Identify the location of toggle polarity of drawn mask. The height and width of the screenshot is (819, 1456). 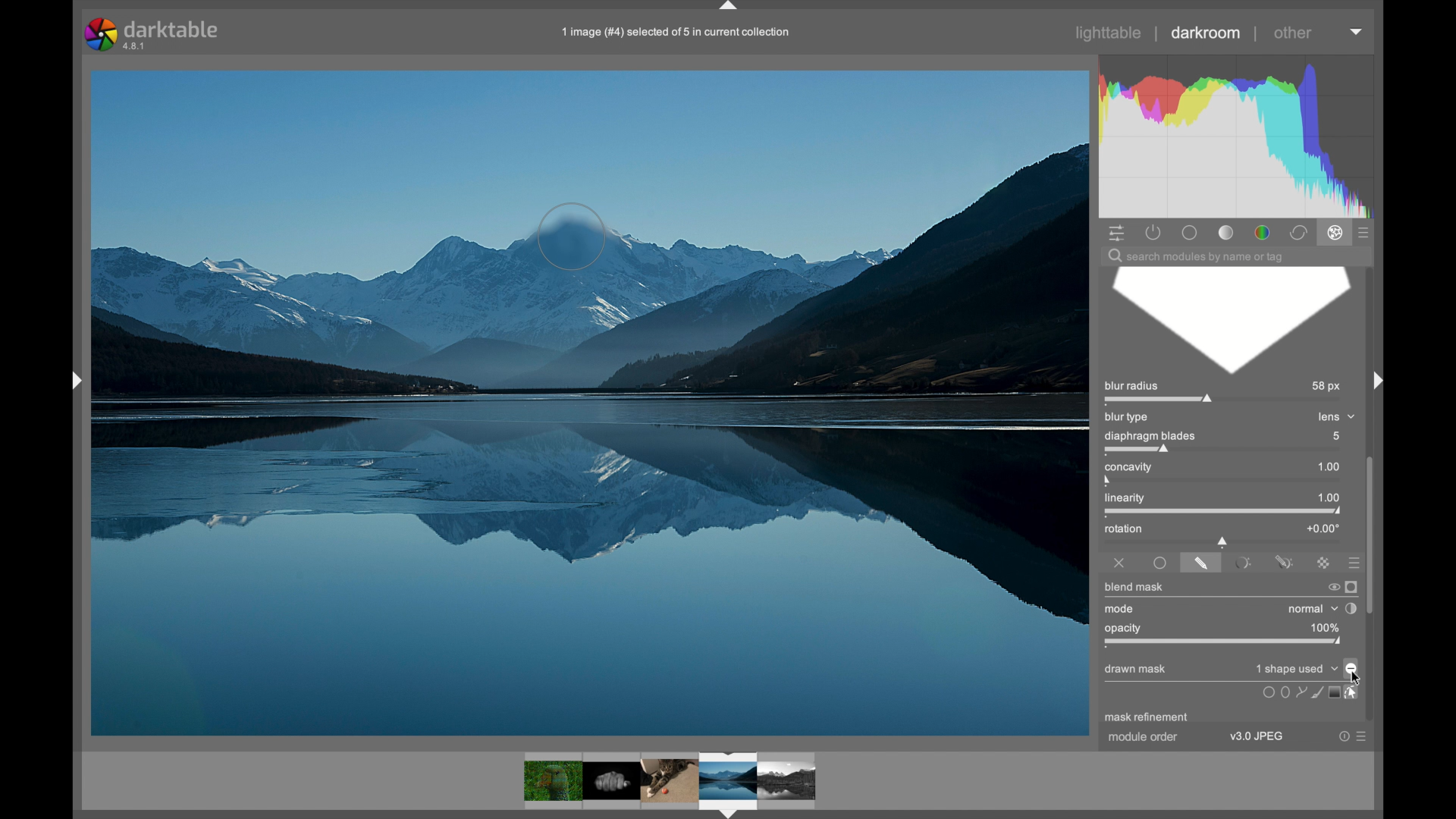
(1352, 668).